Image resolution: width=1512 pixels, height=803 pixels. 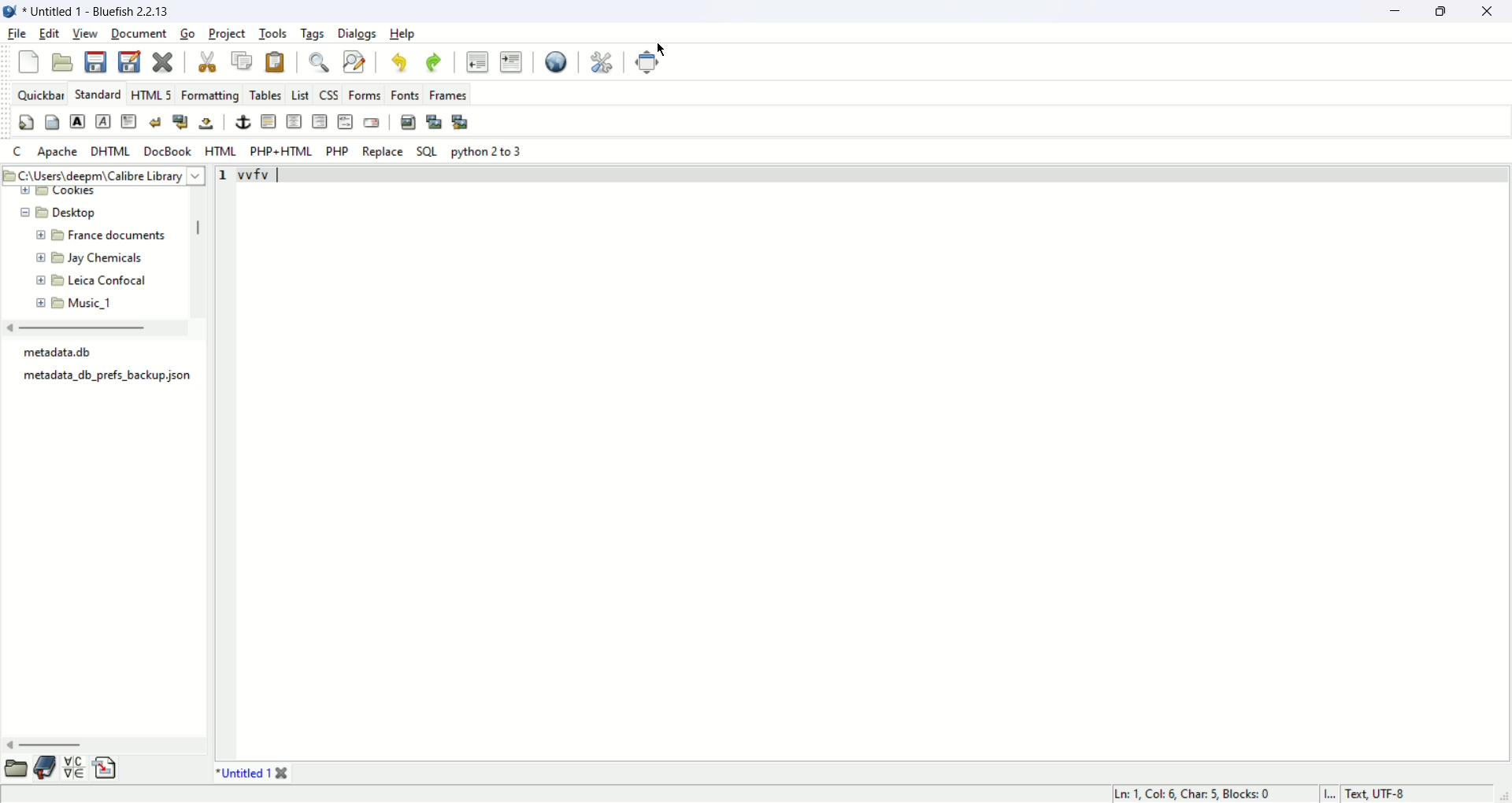 What do you see at coordinates (294, 121) in the screenshot?
I see `center` at bounding box center [294, 121].